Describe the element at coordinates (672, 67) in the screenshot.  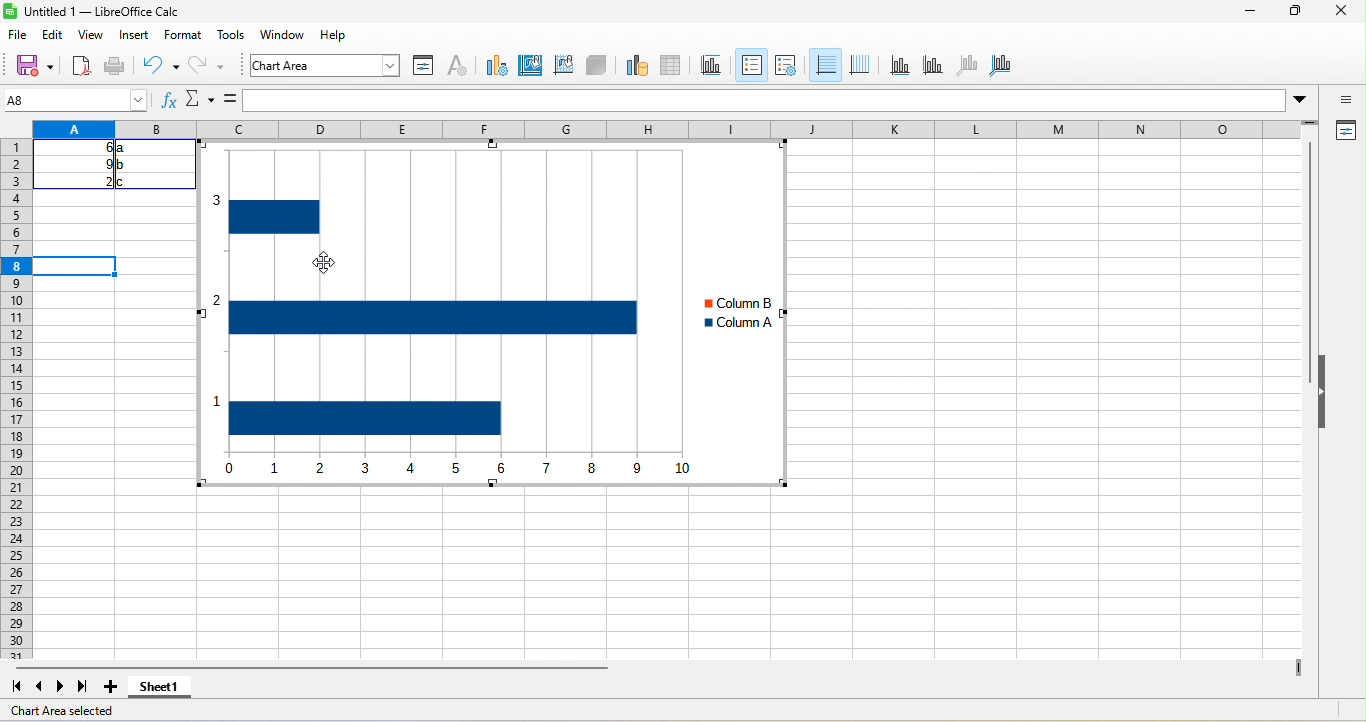
I see `data table` at that location.